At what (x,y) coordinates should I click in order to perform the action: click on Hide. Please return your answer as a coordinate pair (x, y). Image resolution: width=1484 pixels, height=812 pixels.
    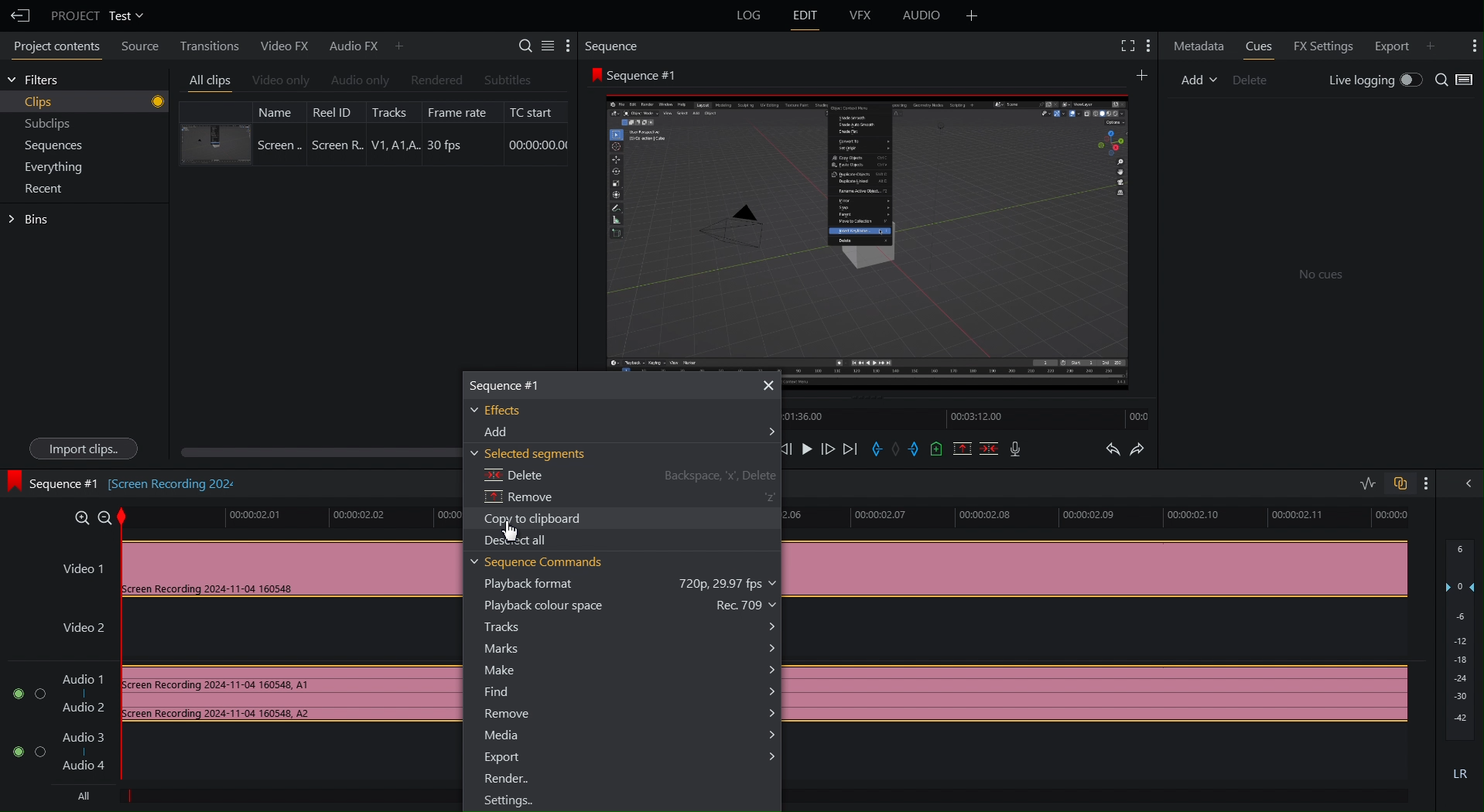
    Looking at the image, I should click on (1465, 484).